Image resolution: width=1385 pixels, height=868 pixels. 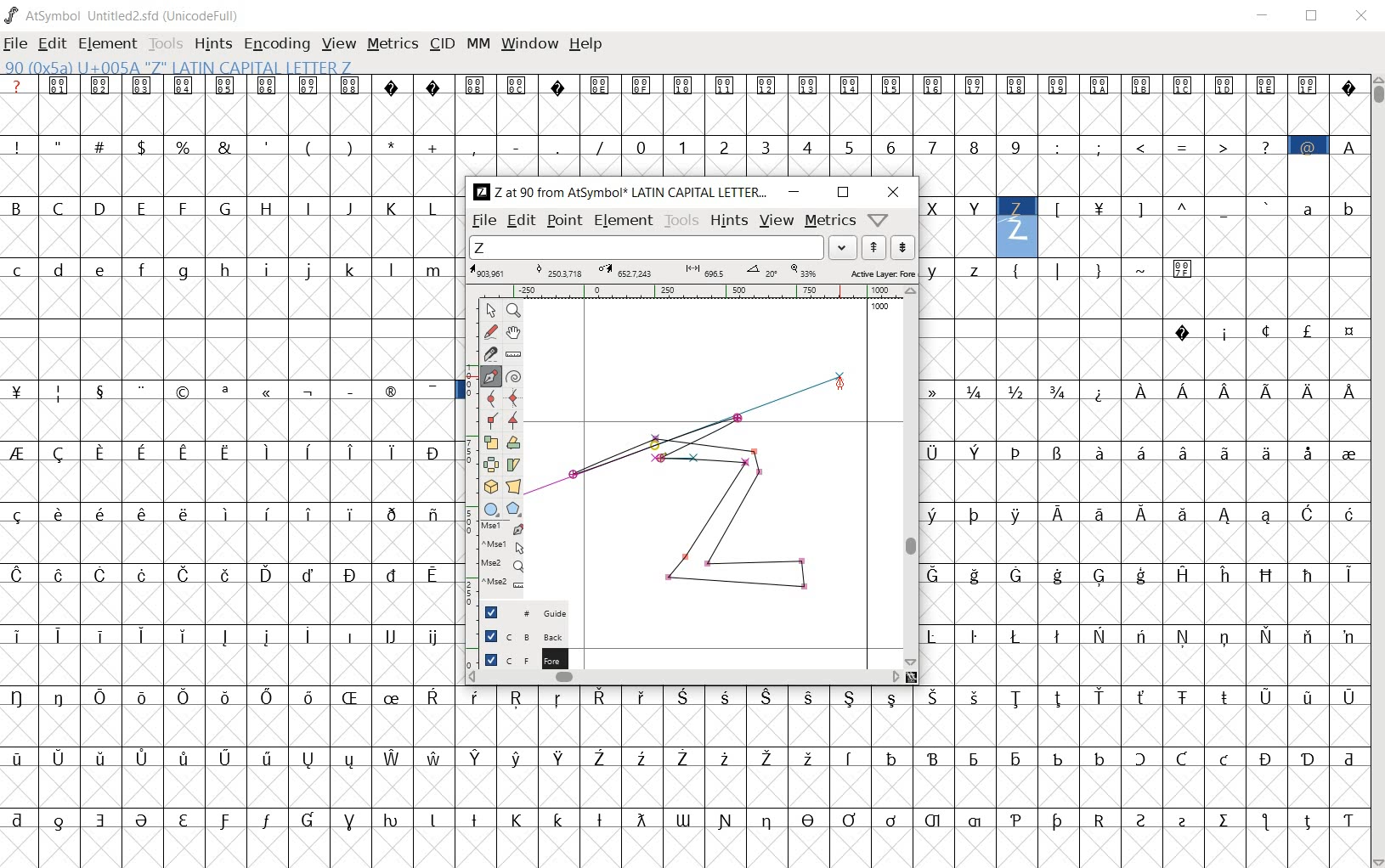 What do you see at coordinates (229, 462) in the screenshot?
I see `glyphs` at bounding box center [229, 462].